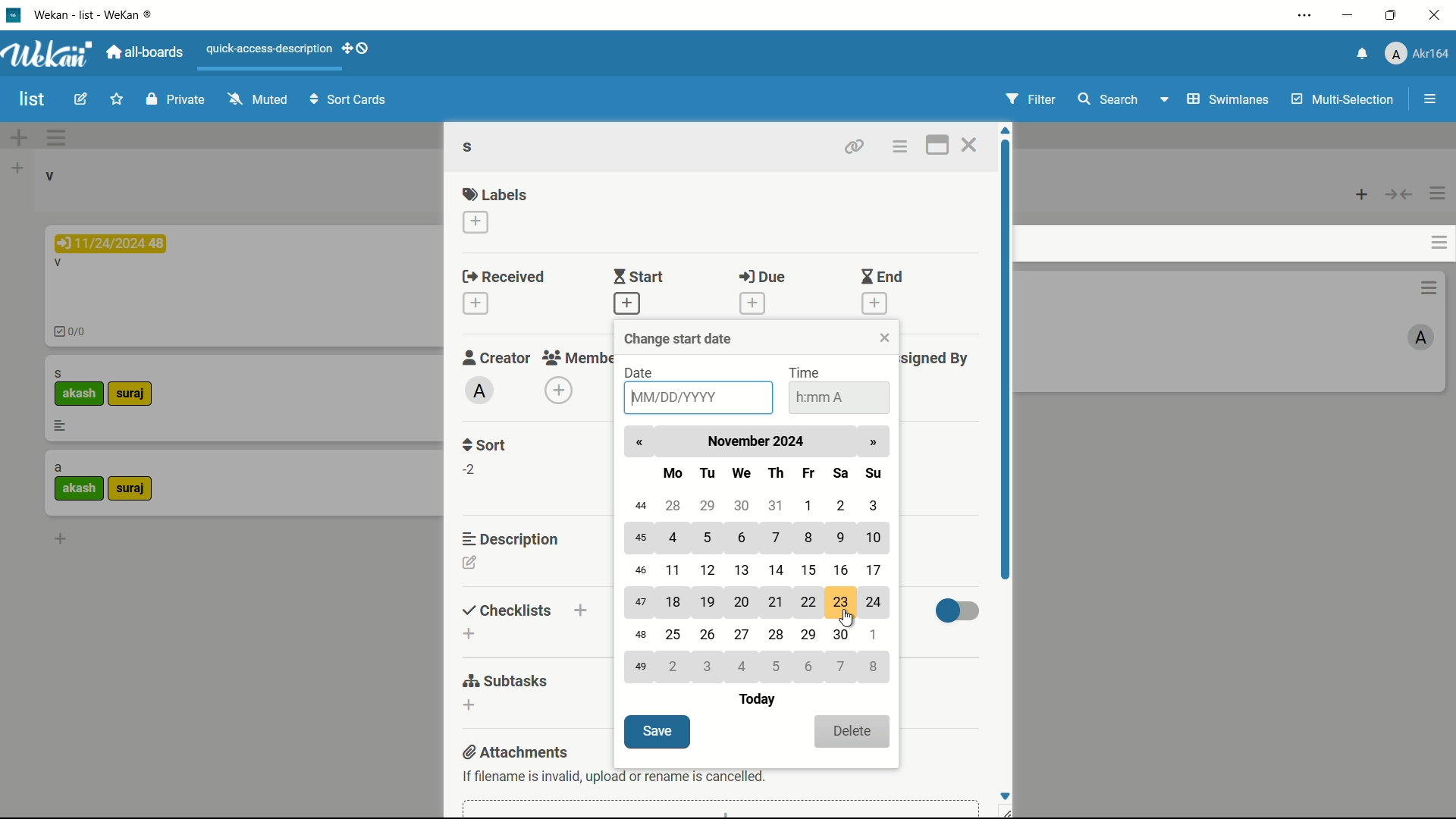 This screenshot has height=819, width=1456. I want to click on sort, so click(485, 444).